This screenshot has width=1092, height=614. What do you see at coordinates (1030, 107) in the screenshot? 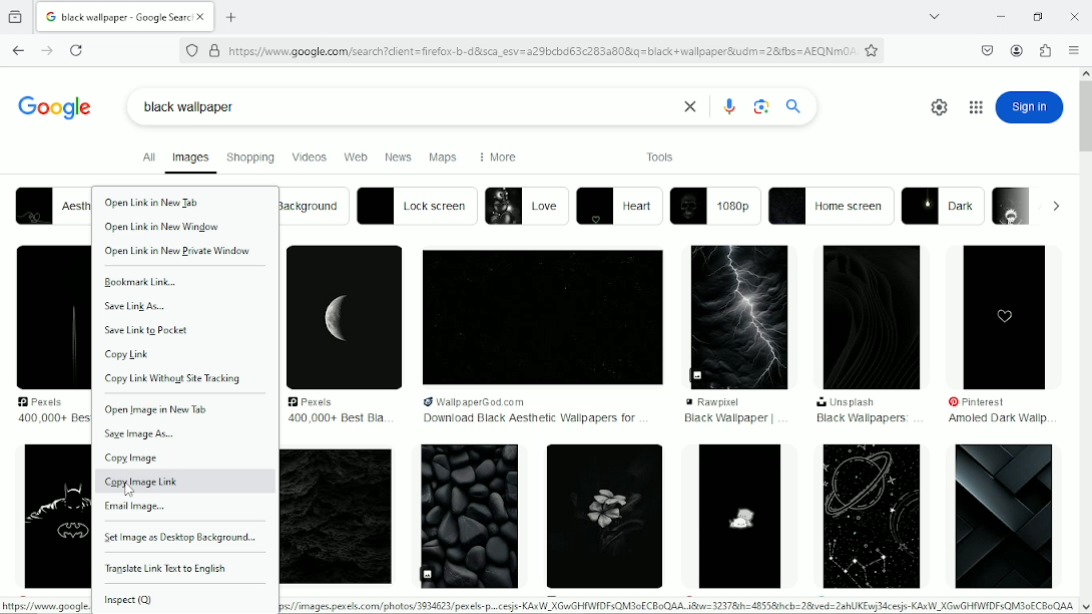
I see `sign in` at bounding box center [1030, 107].